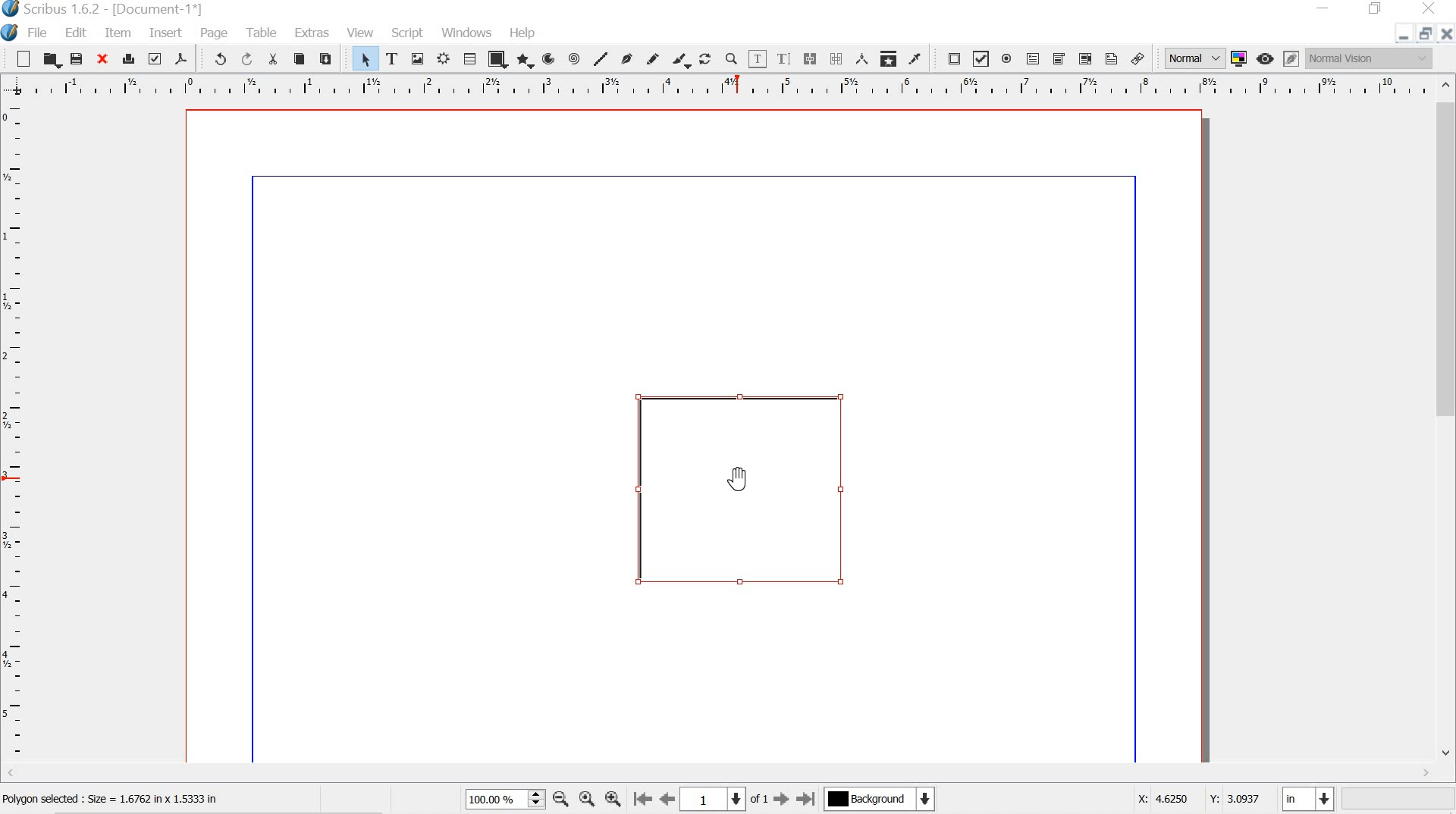 The width and height of the screenshot is (1456, 814). Describe the element at coordinates (654, 59) in the screenshot. I see `freehand line` at that location.